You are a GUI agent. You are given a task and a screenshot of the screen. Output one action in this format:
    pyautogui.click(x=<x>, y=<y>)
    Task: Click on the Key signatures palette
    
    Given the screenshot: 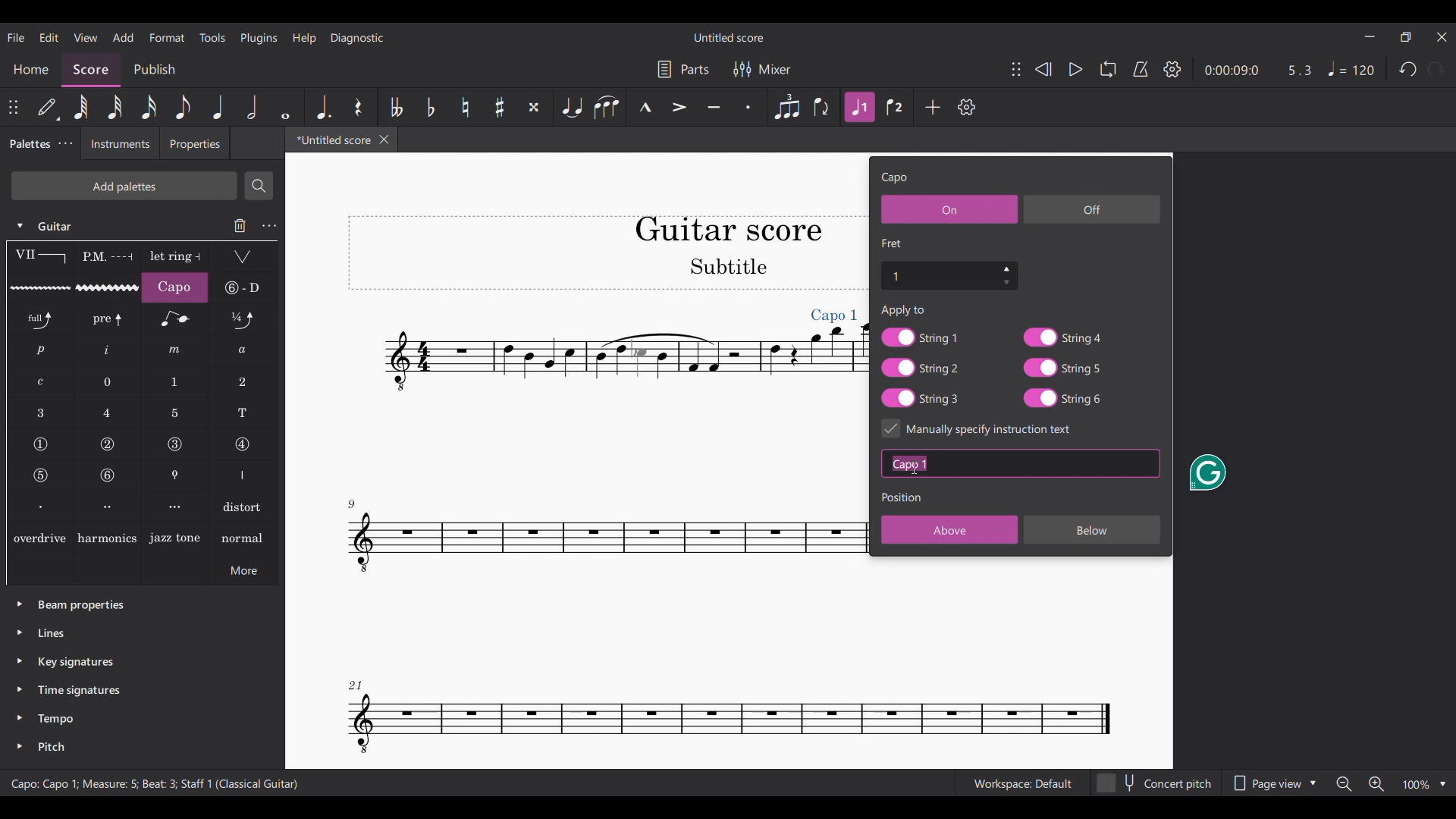 What is the action you would take?
    pyautogui.click(x=76, y=662)
    